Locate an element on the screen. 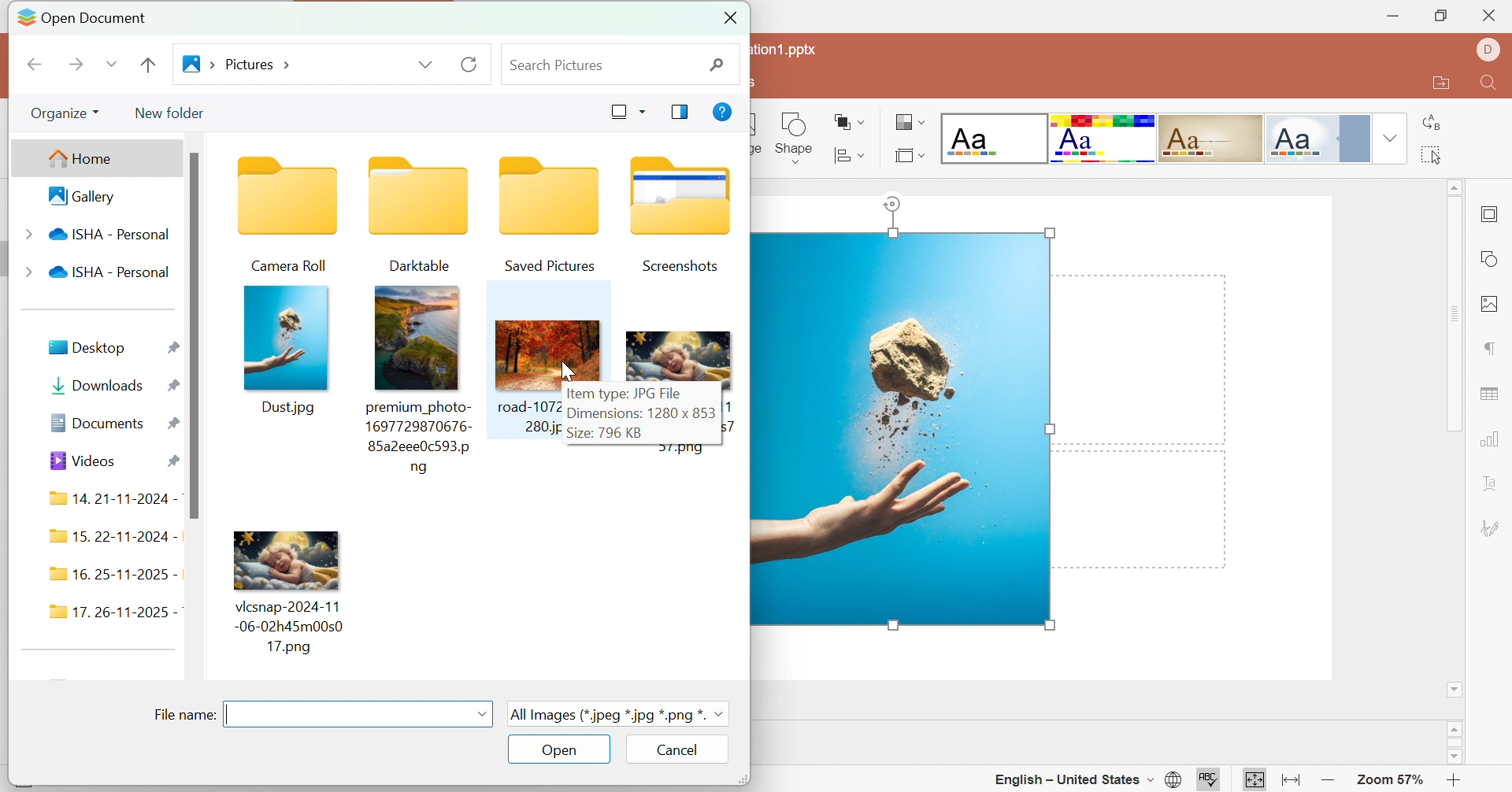 Image resolution: width=1512 pixels, height=792 pixels. 57.png is located at coordinates (685, 450).